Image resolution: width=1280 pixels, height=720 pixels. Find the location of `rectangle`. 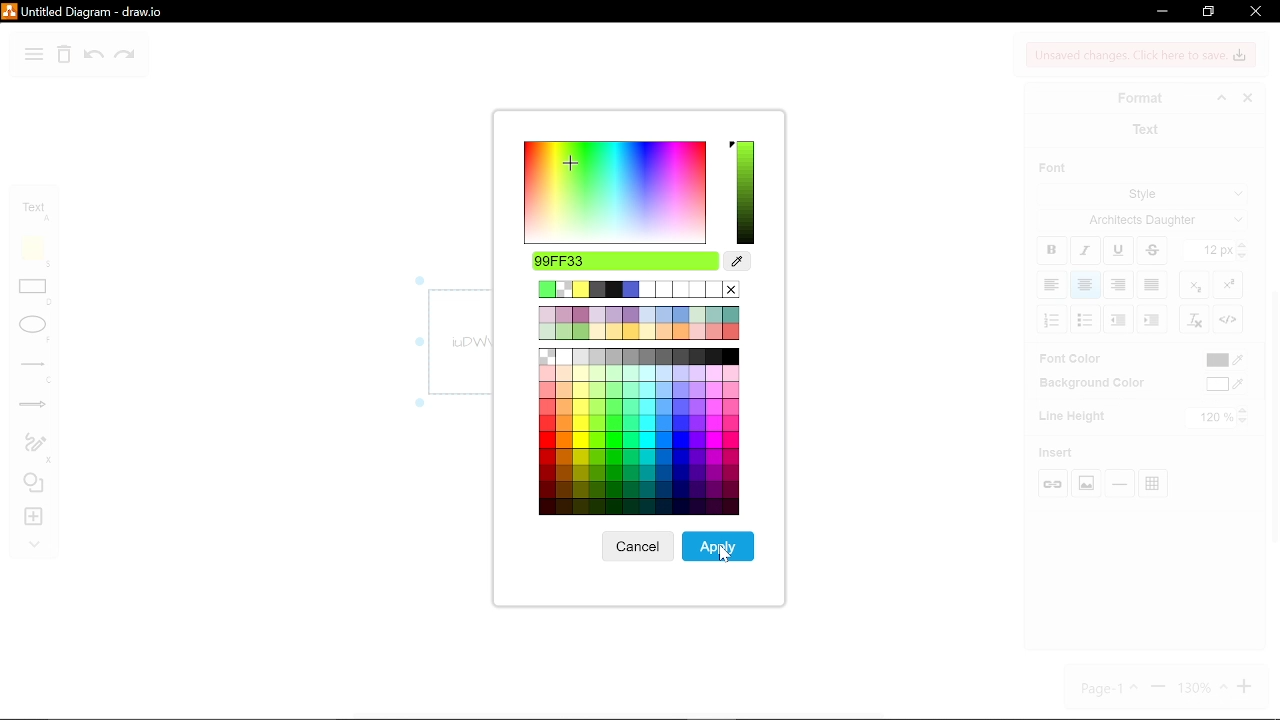

rectangle is located at coordinates (29, 291).